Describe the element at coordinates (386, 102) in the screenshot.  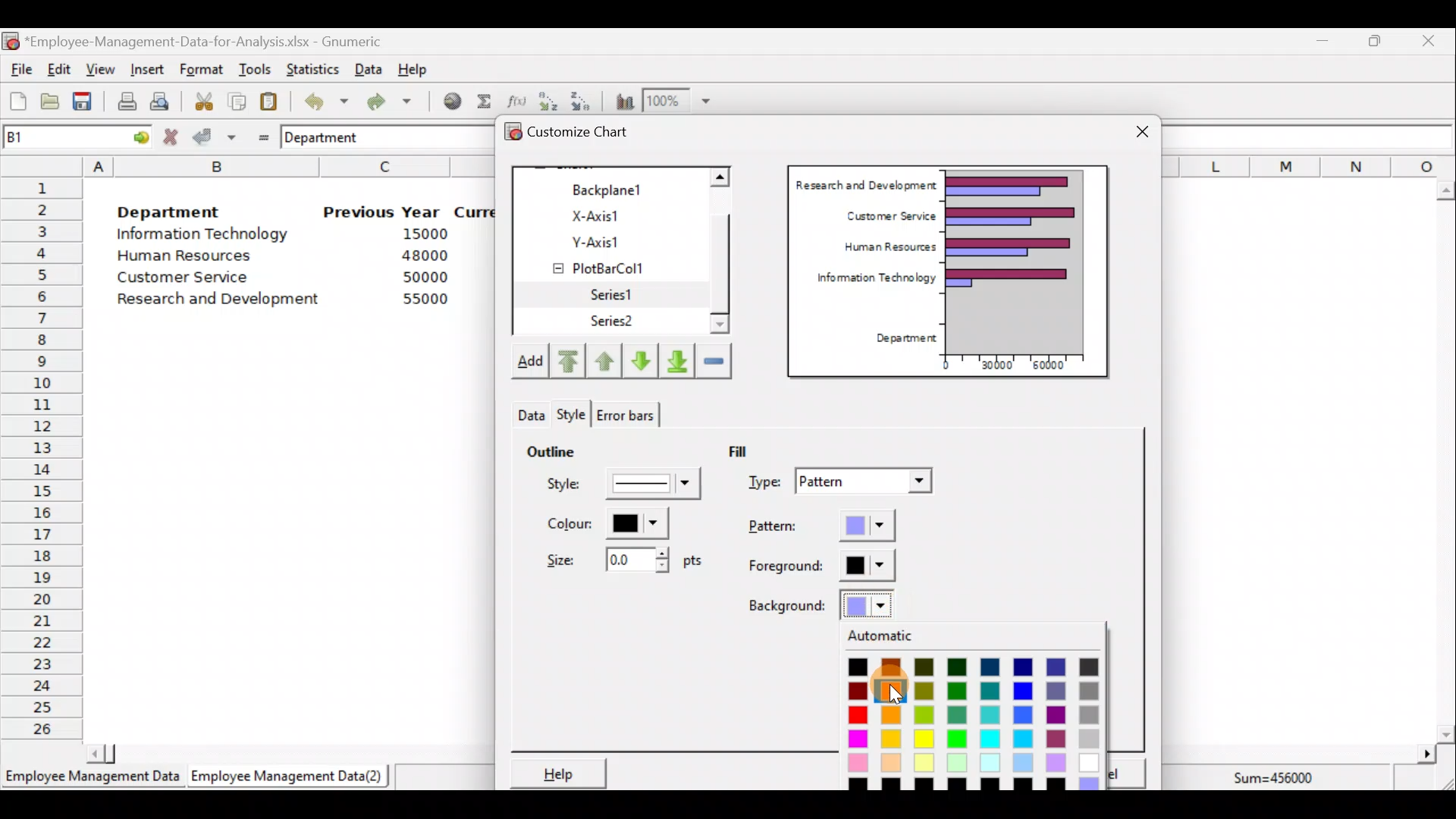
I see `Redo undone action` at that location.